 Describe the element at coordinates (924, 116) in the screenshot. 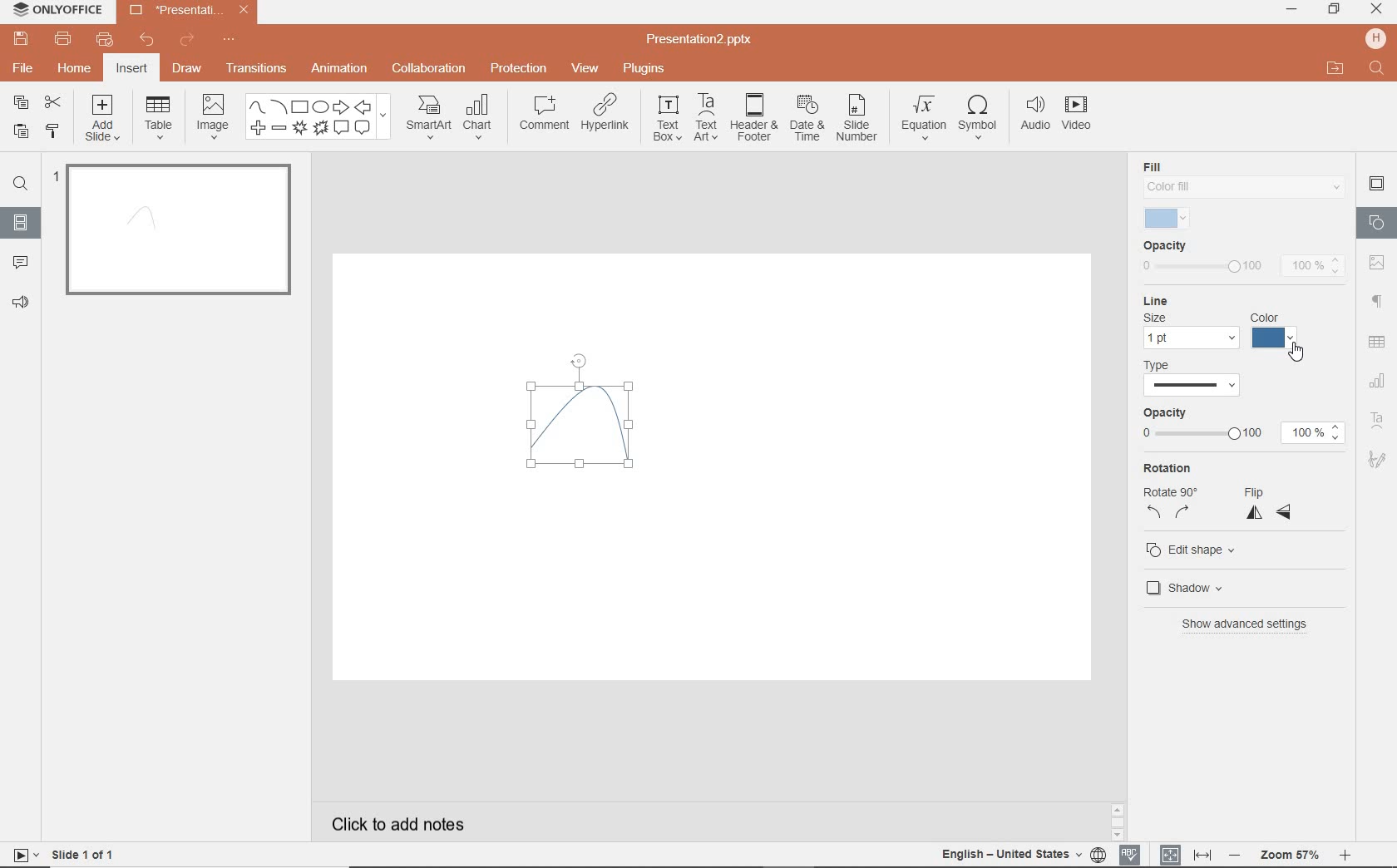

I see `EQUATION` at that location.